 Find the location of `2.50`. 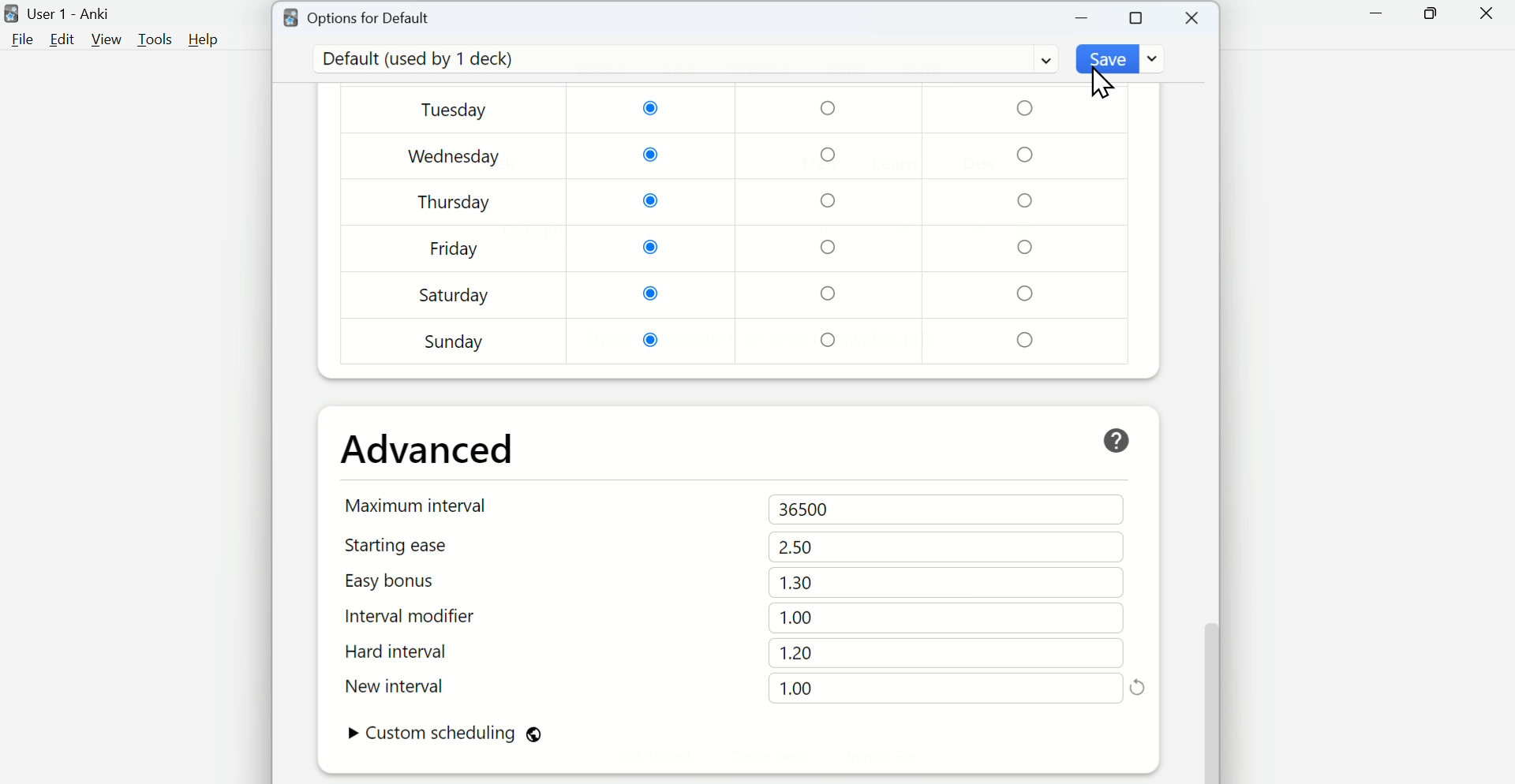

2.50 is located at coordinates (796, 547).